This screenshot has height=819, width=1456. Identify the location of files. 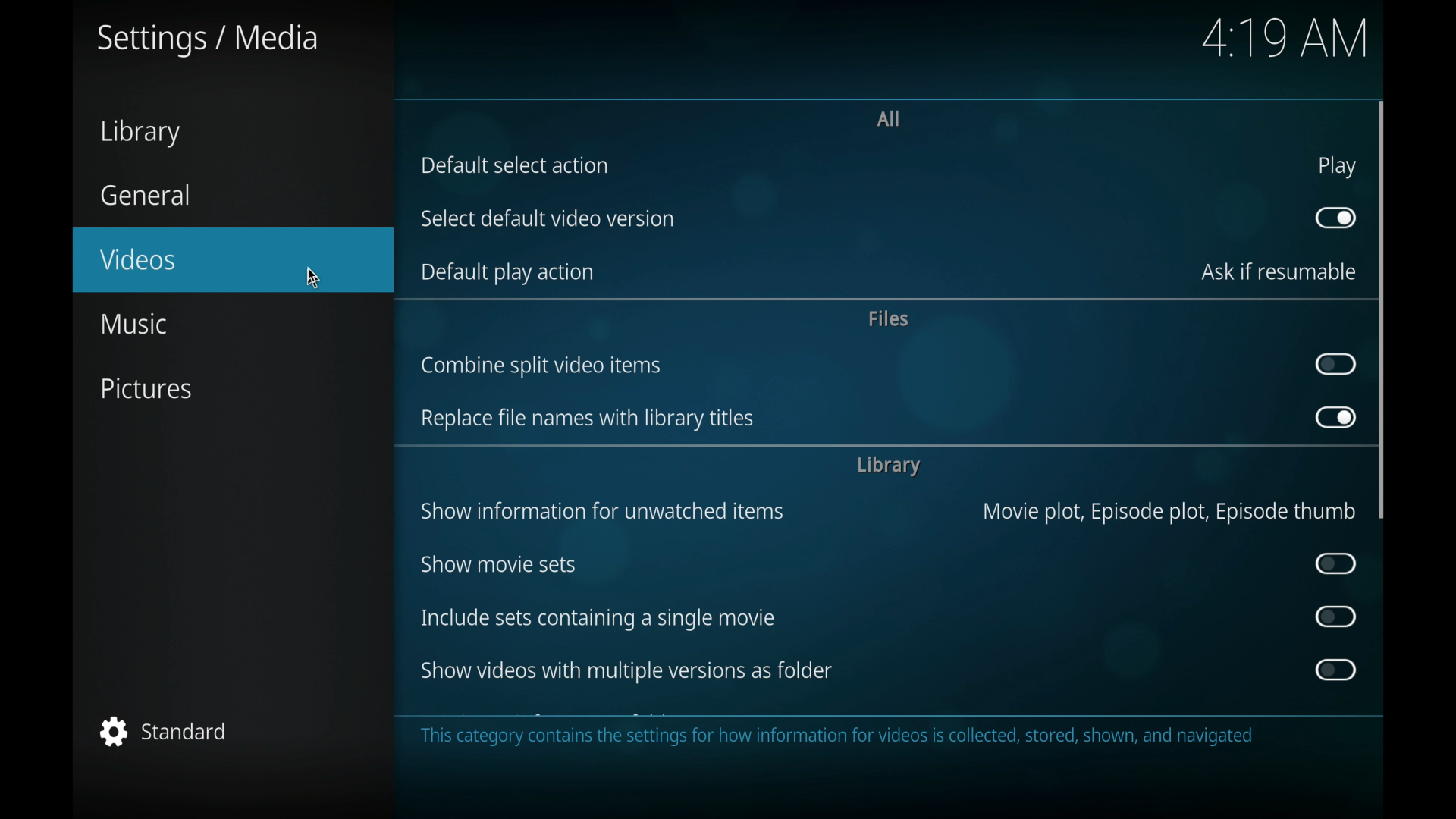
(890, 319).